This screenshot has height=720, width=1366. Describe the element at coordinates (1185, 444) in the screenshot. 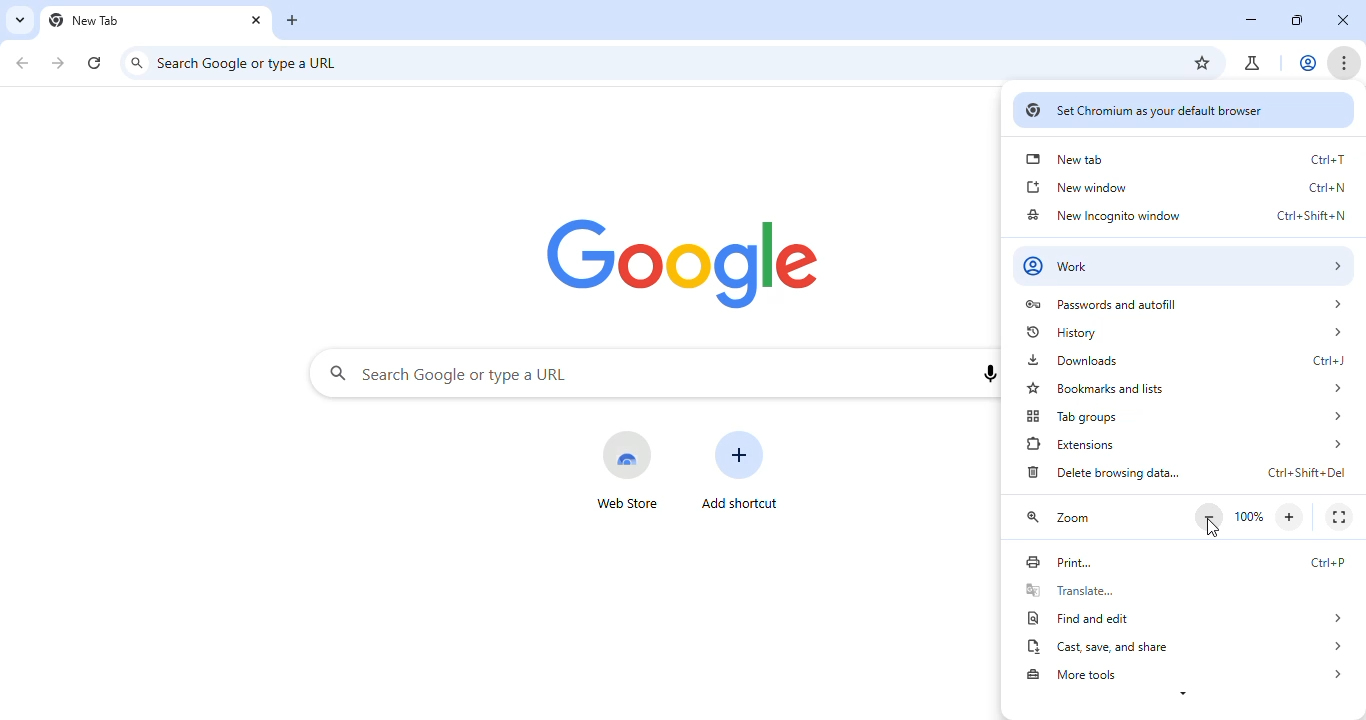

I see `extensions` at that location.